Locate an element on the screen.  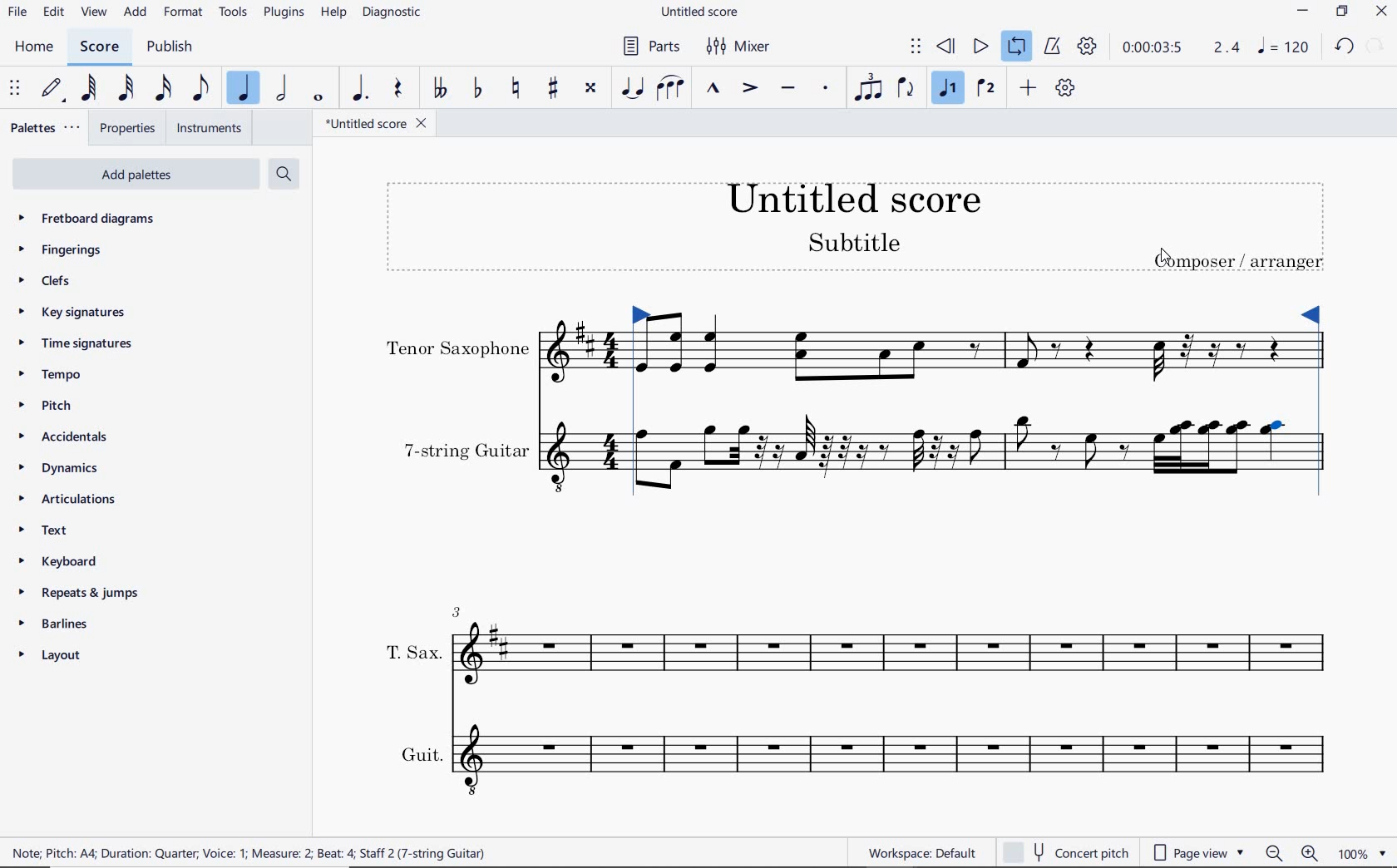
AUGMENTATION DOT is located at coordinates (361, 89).